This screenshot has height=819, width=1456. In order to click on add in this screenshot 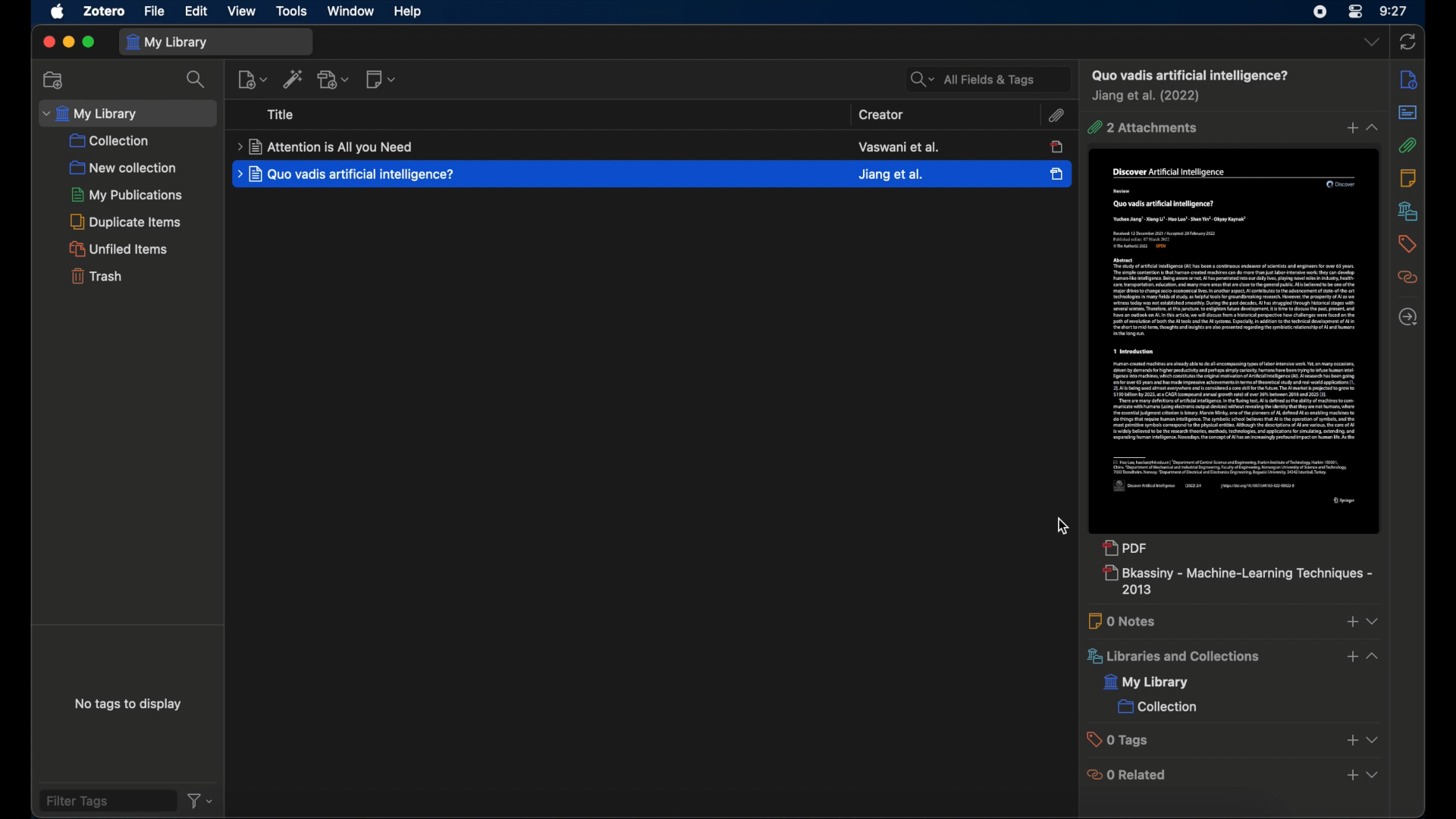, I will do `click(1352, 655)`.